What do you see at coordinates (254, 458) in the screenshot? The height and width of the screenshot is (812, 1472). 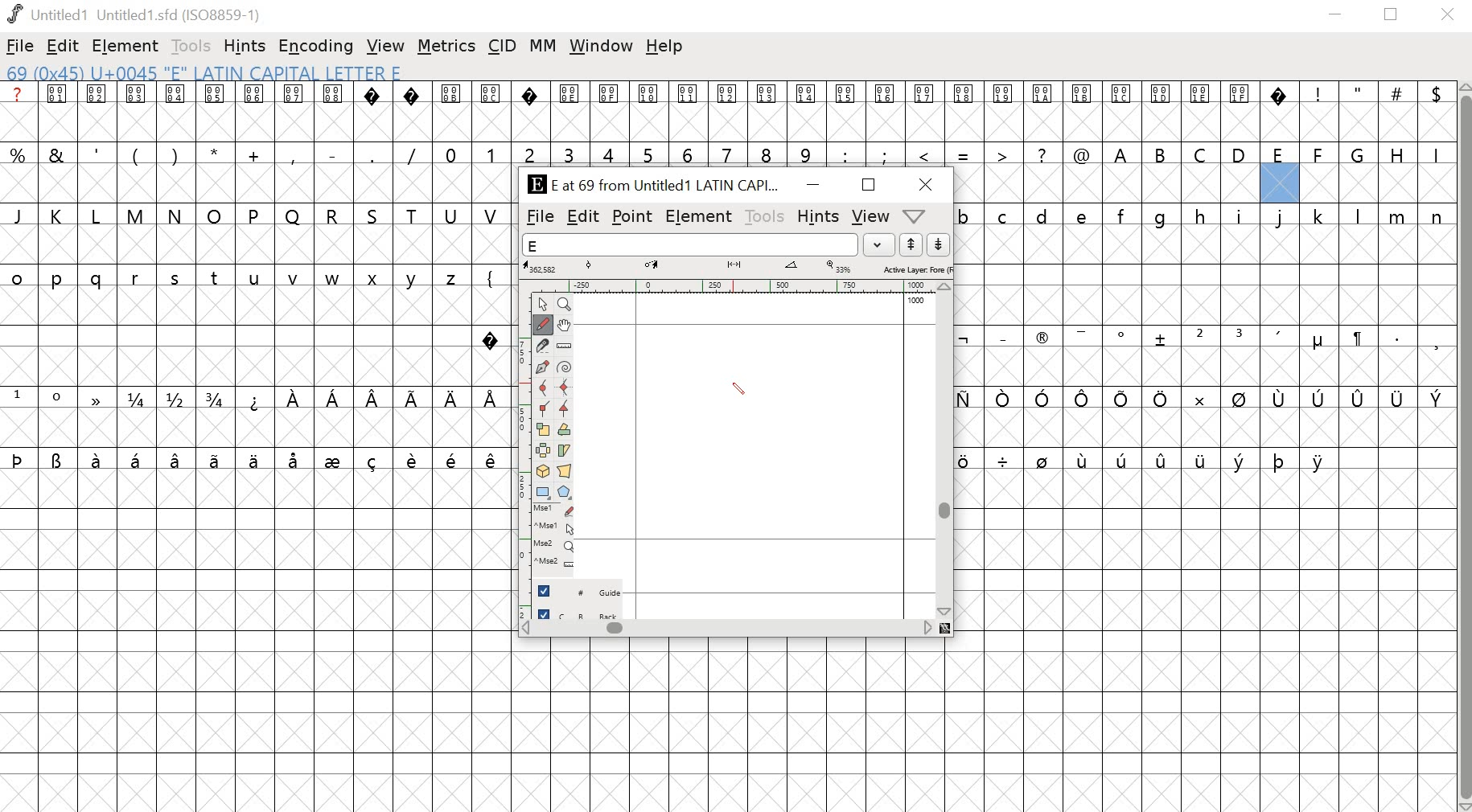 I see `special characters` at bounding box center [254, 458].